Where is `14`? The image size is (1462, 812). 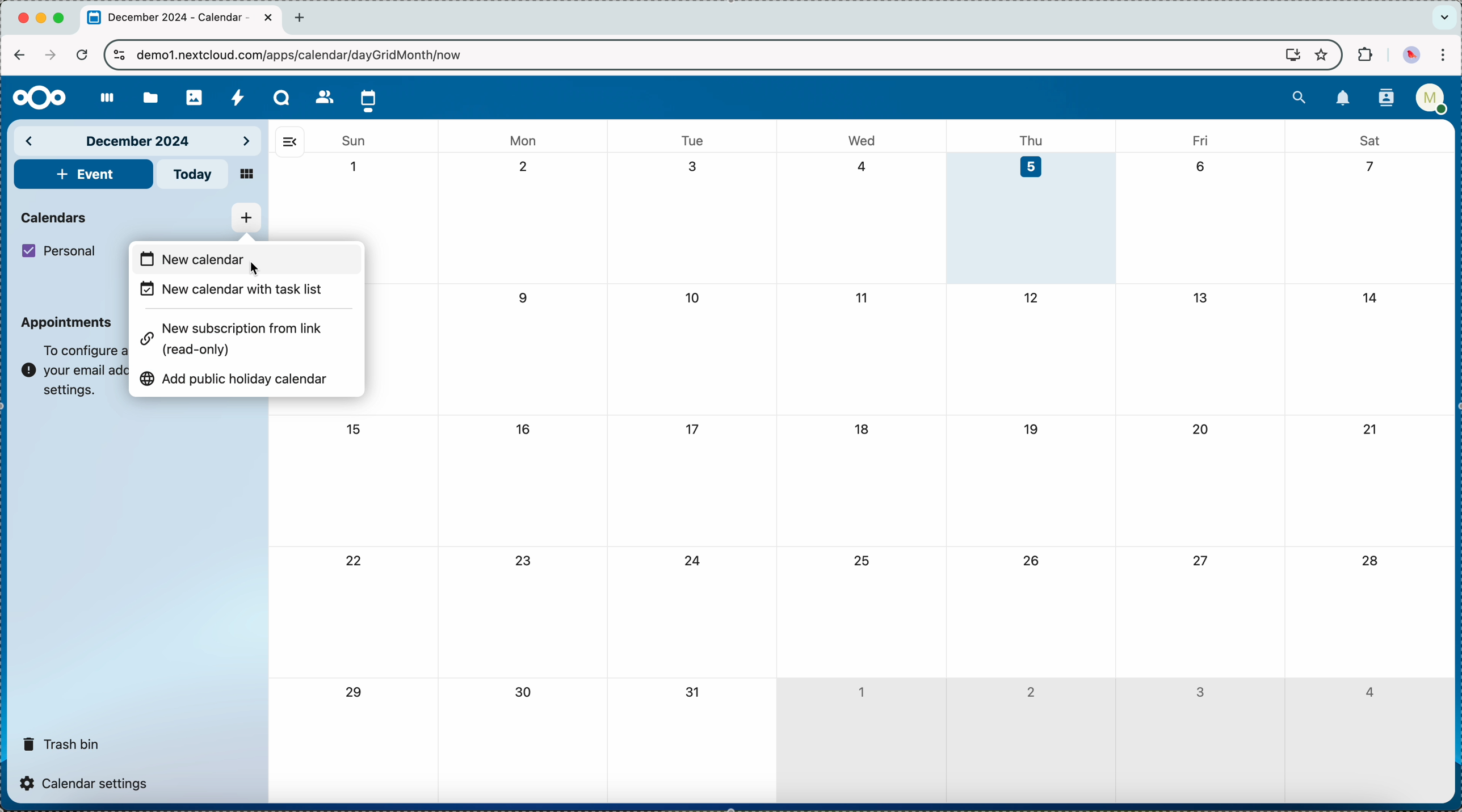
14 is located at coordinates (1374, 296).